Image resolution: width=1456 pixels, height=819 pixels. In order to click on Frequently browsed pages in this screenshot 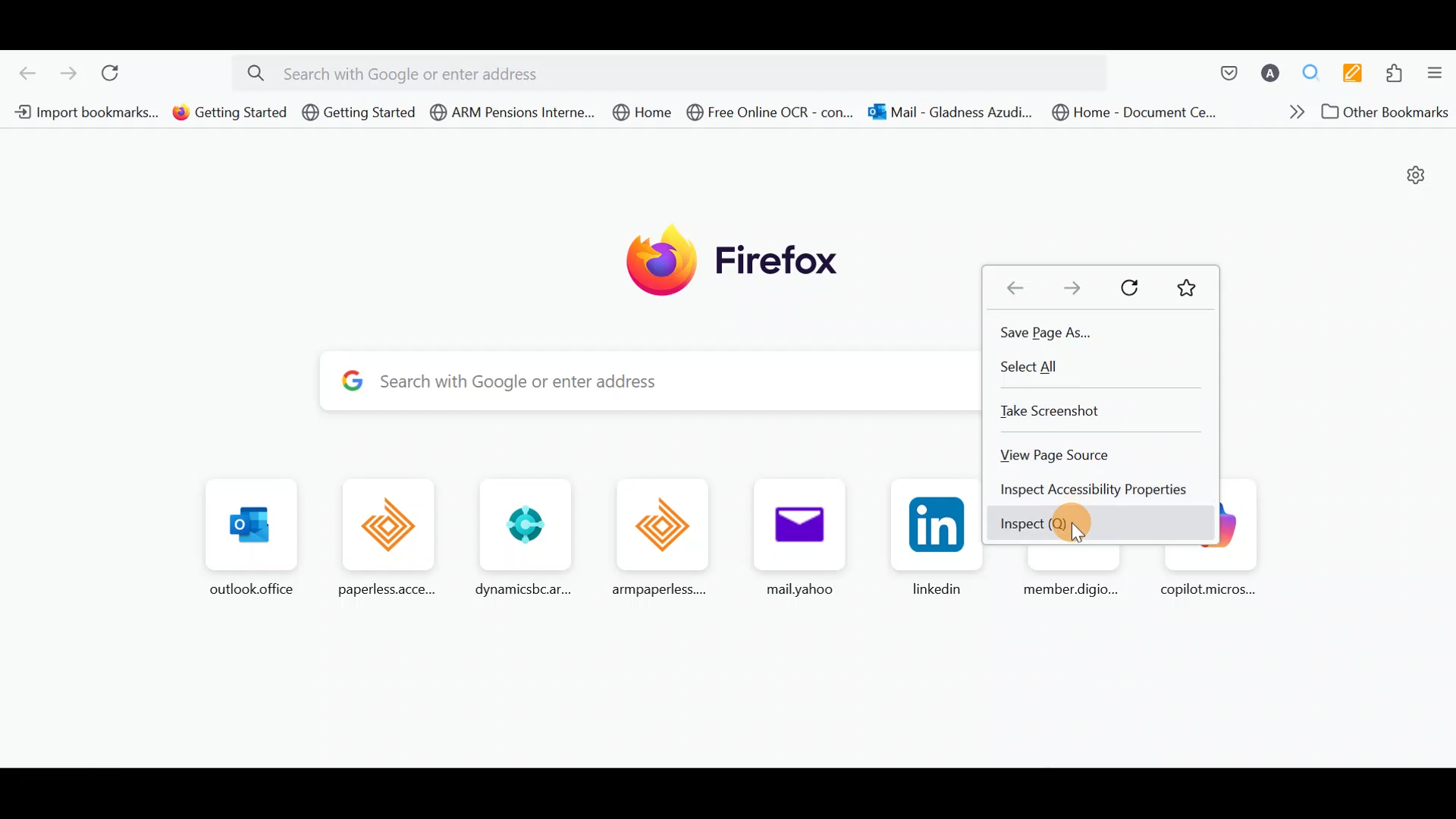, I will do `click(585, 537)`.